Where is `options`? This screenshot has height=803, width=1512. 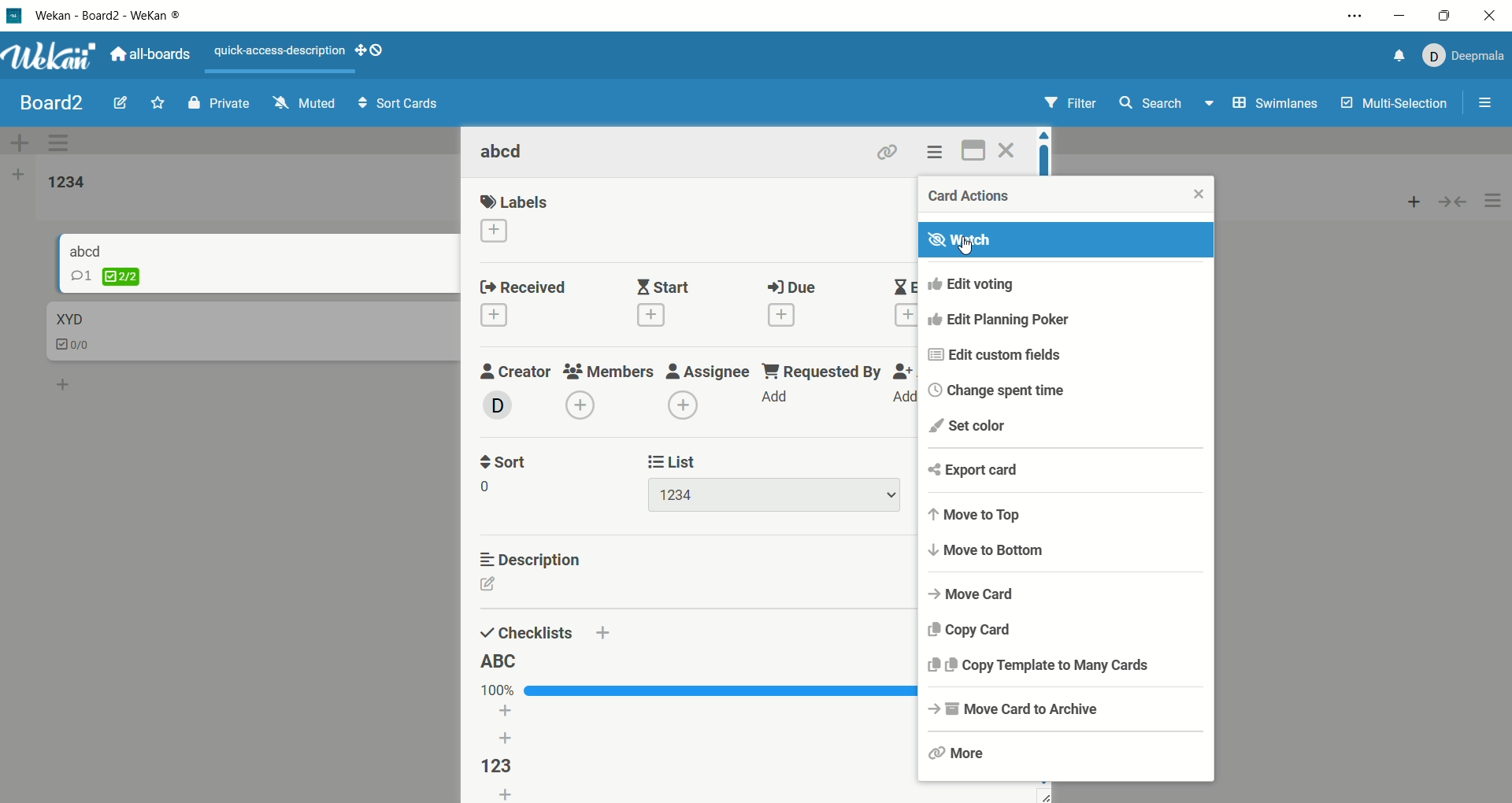
options is located at coordinates (1354, 15).